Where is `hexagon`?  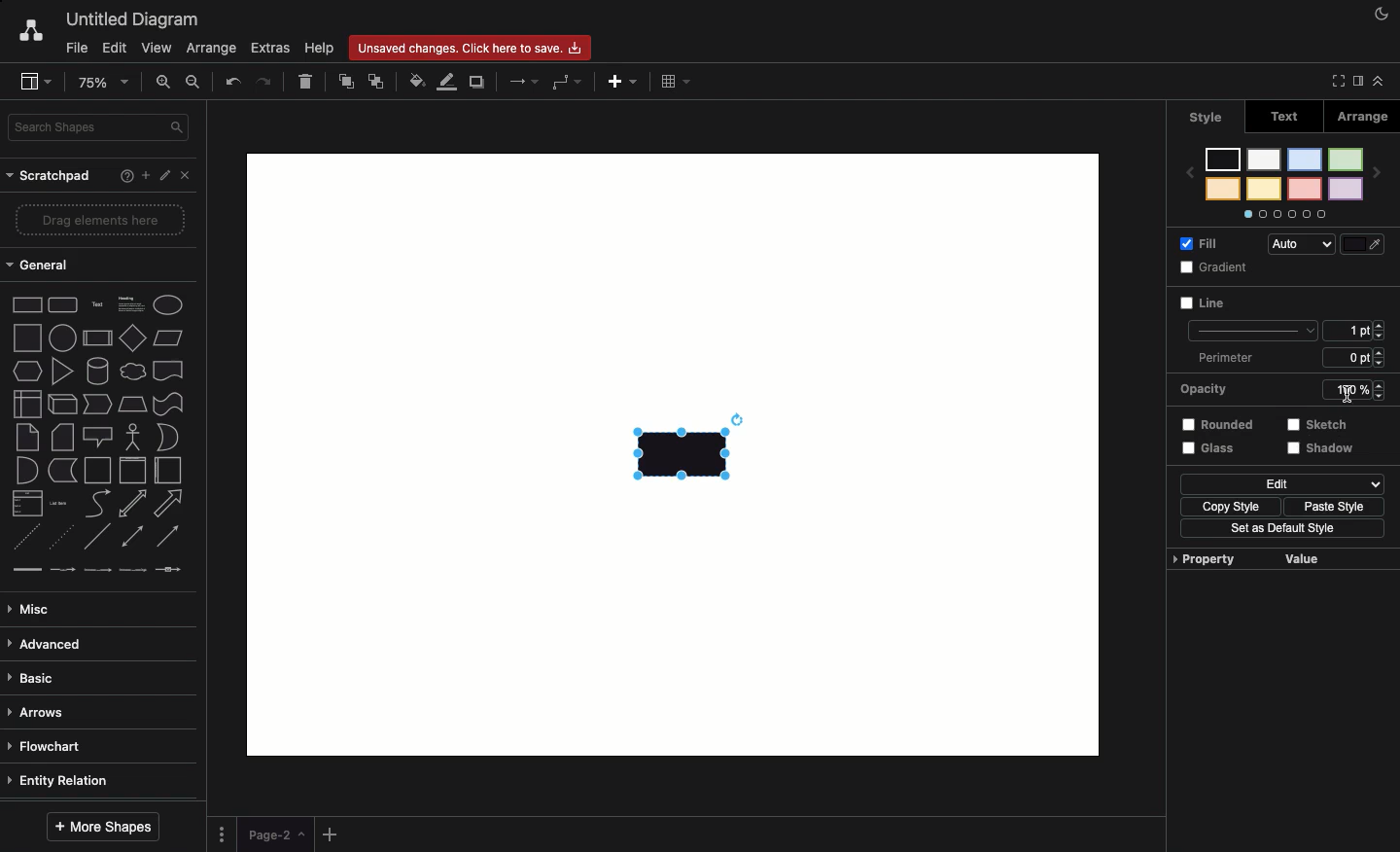 hexagon is located at coordinates (24, 371).